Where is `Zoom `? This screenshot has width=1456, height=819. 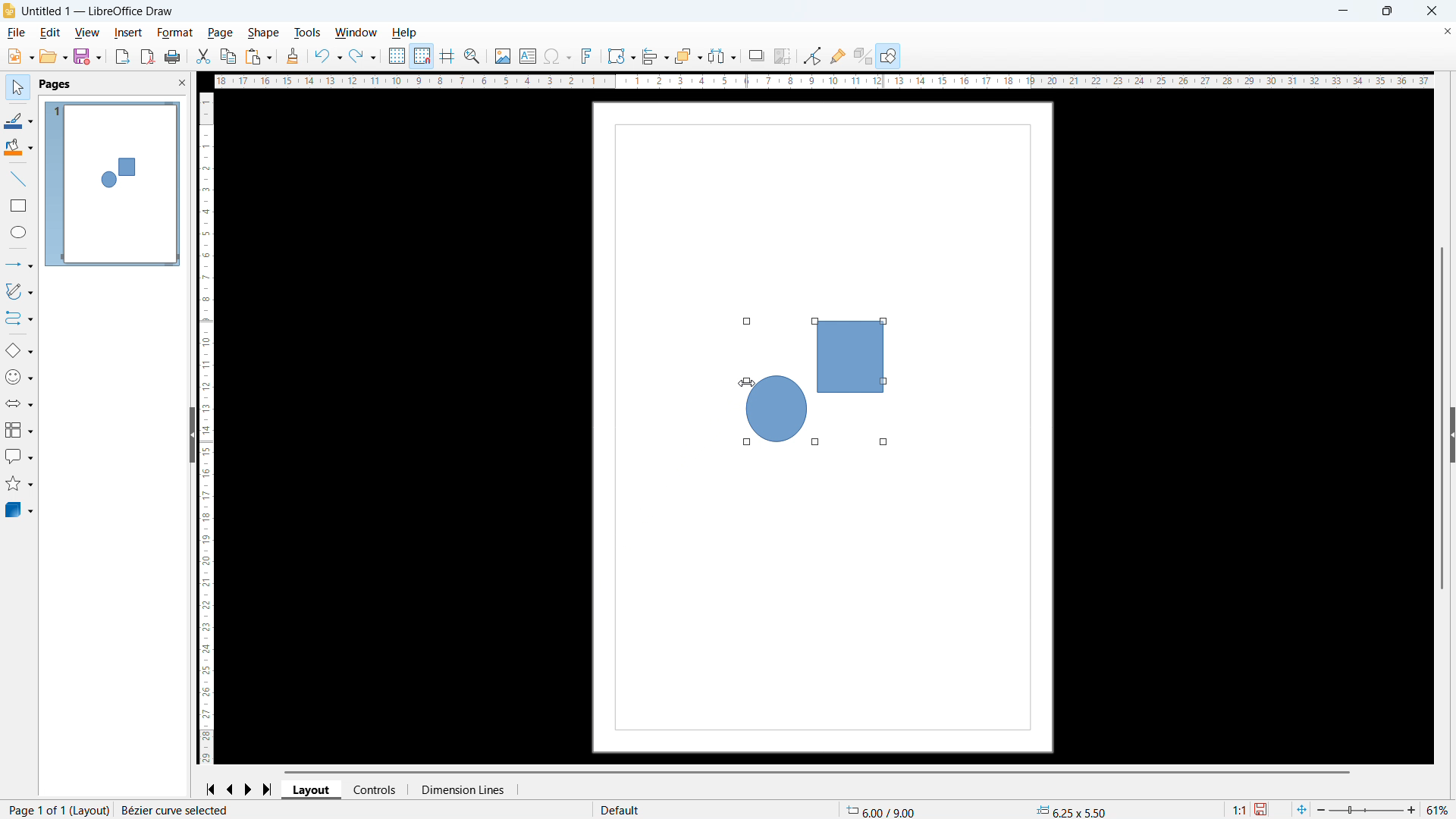 Zoom  is located at coordinates (472, 57).